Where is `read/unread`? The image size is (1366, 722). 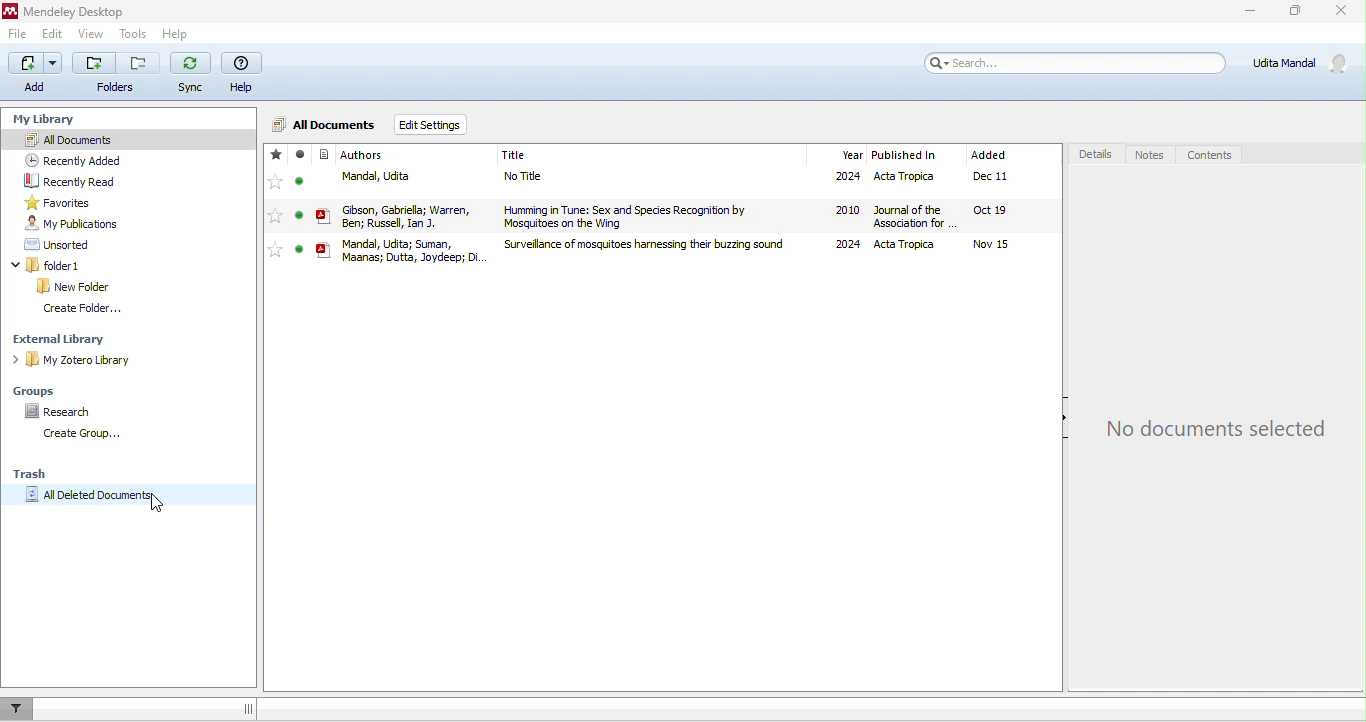
read/unread is located at coordinates (298, 202).